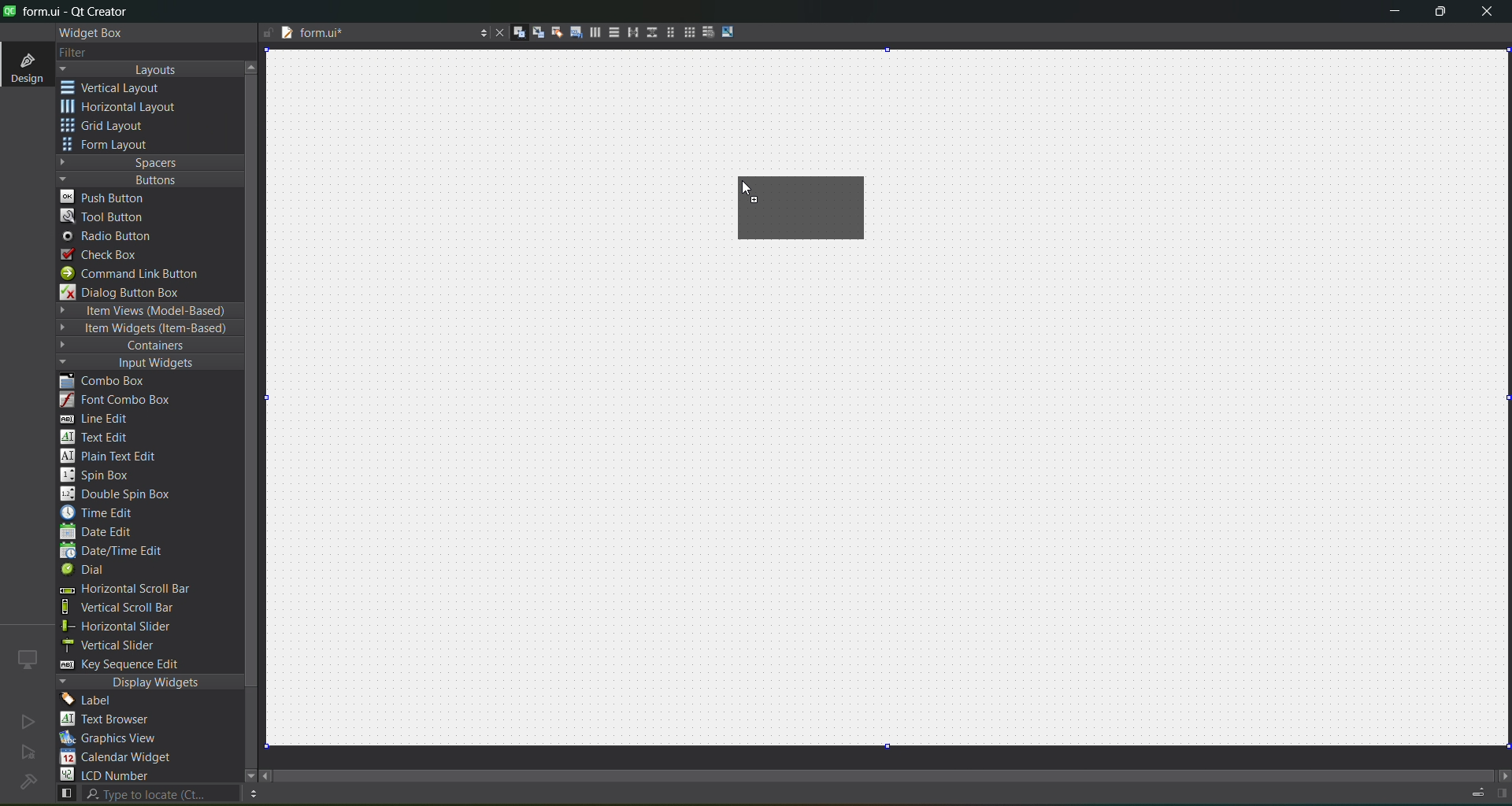 The height and width of the screenshot is (806, 1512). What do you see at coordinates (373, 34) in the screenshot?
I see `tab name` at bounding box center [373, 34].